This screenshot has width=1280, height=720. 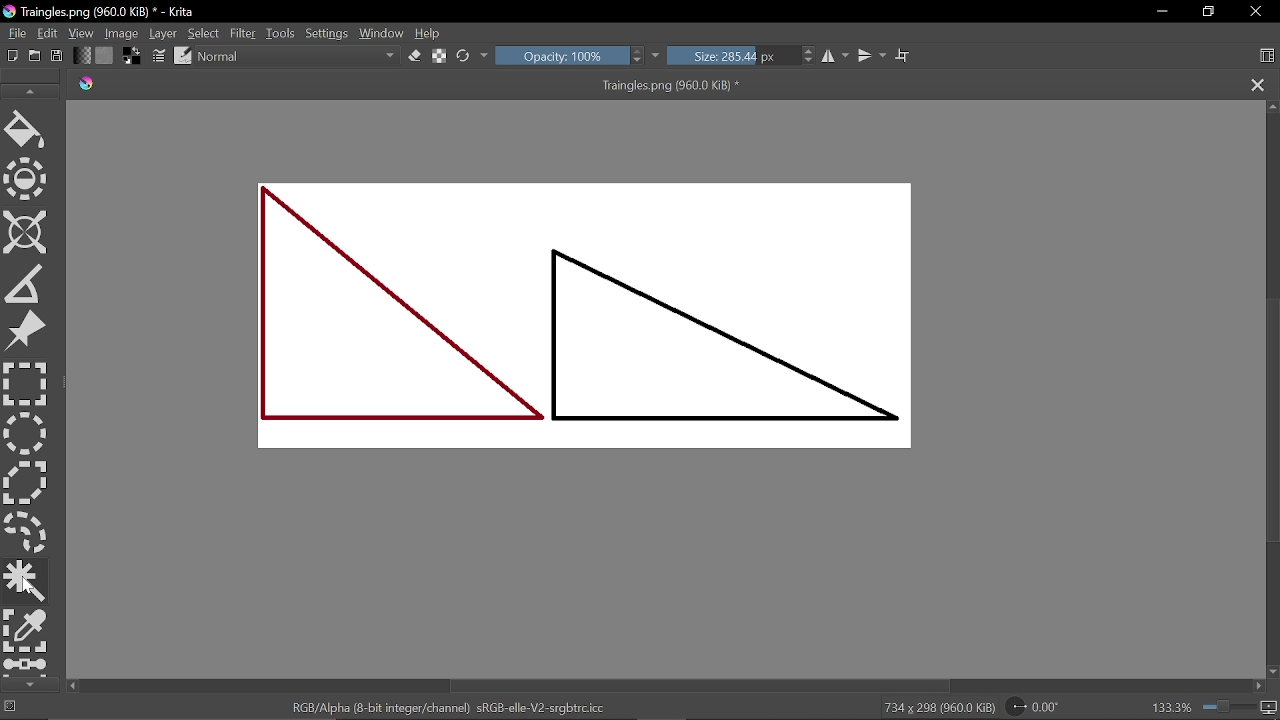 I want to click on Close, so click(x=1257, y=11).